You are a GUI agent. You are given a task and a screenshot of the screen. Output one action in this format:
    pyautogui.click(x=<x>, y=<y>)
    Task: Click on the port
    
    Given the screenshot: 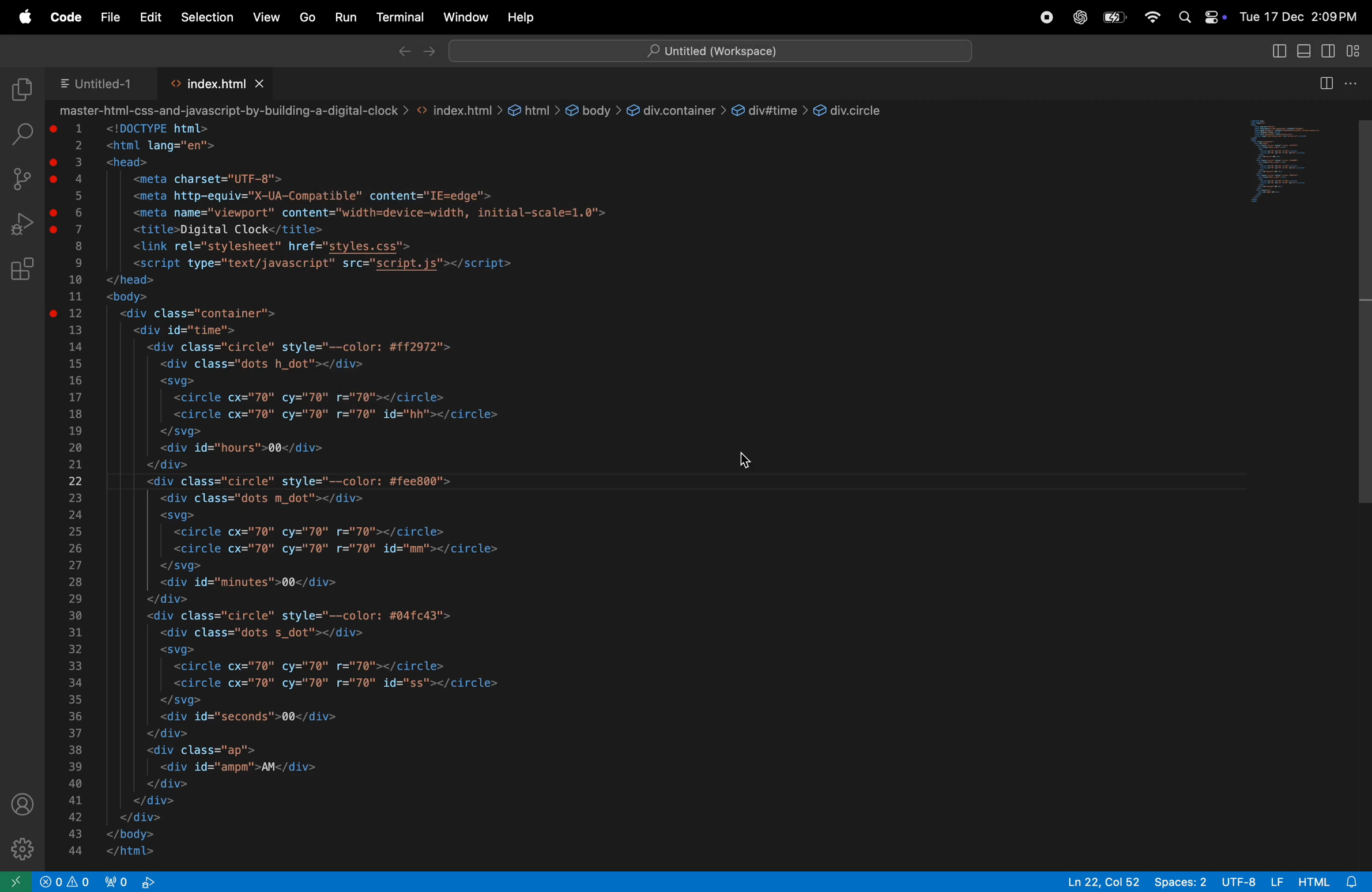 What is the action you would take?
    pyautogui.click(x=119, y=882)
    